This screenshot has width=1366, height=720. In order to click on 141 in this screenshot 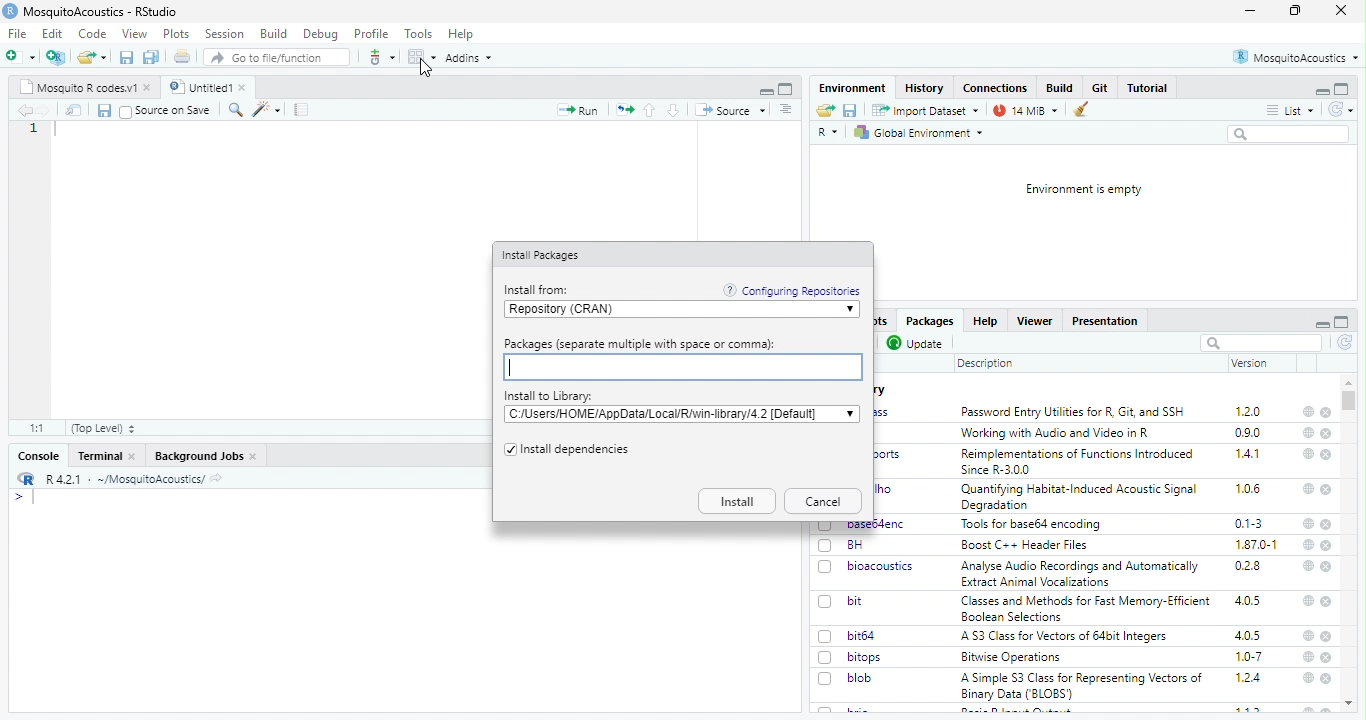, I will do `click(1249, 454)`.